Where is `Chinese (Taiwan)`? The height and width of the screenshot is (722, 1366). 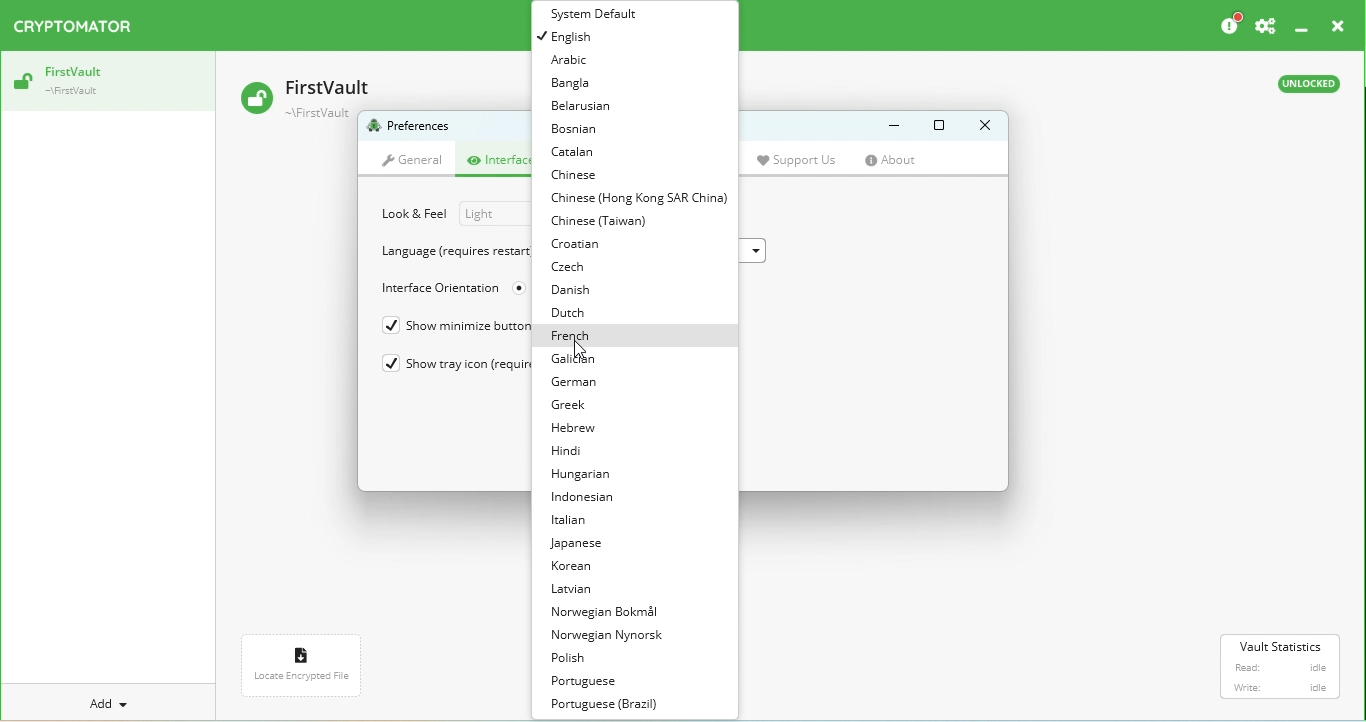
Chinese (Taiwan) is located at coordinates (605, 222).